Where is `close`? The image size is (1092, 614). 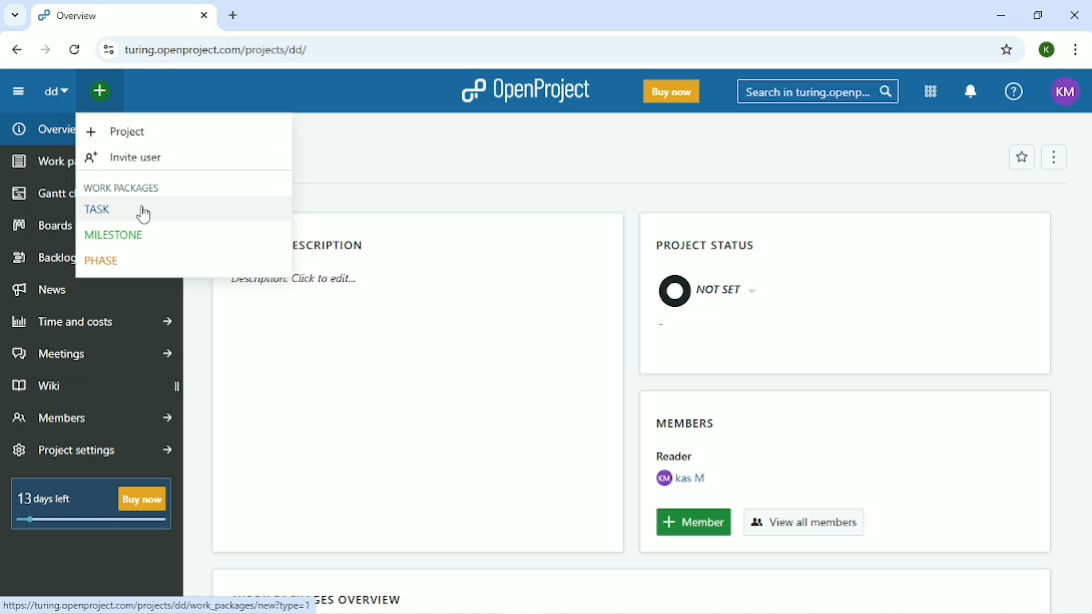
close is located at coordinates (205, 17).